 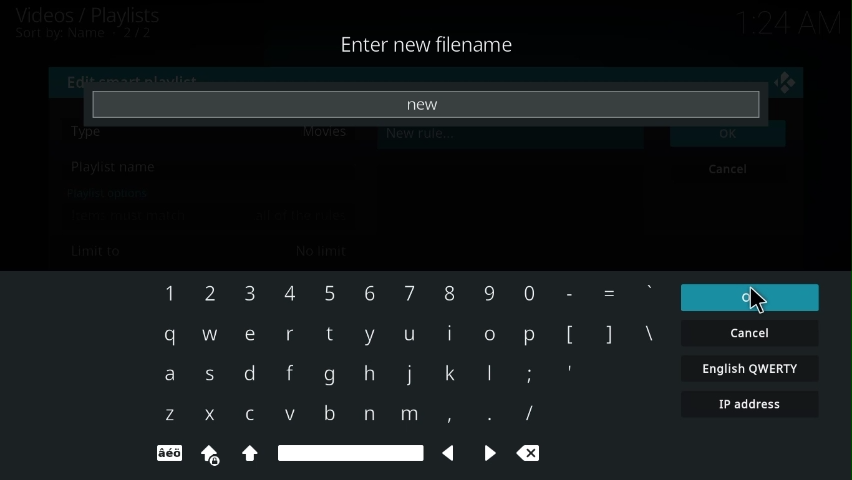 What do you see at coordinates (250, 453) in the screenshot?
I see `shift` at bounding box center [250, 453].